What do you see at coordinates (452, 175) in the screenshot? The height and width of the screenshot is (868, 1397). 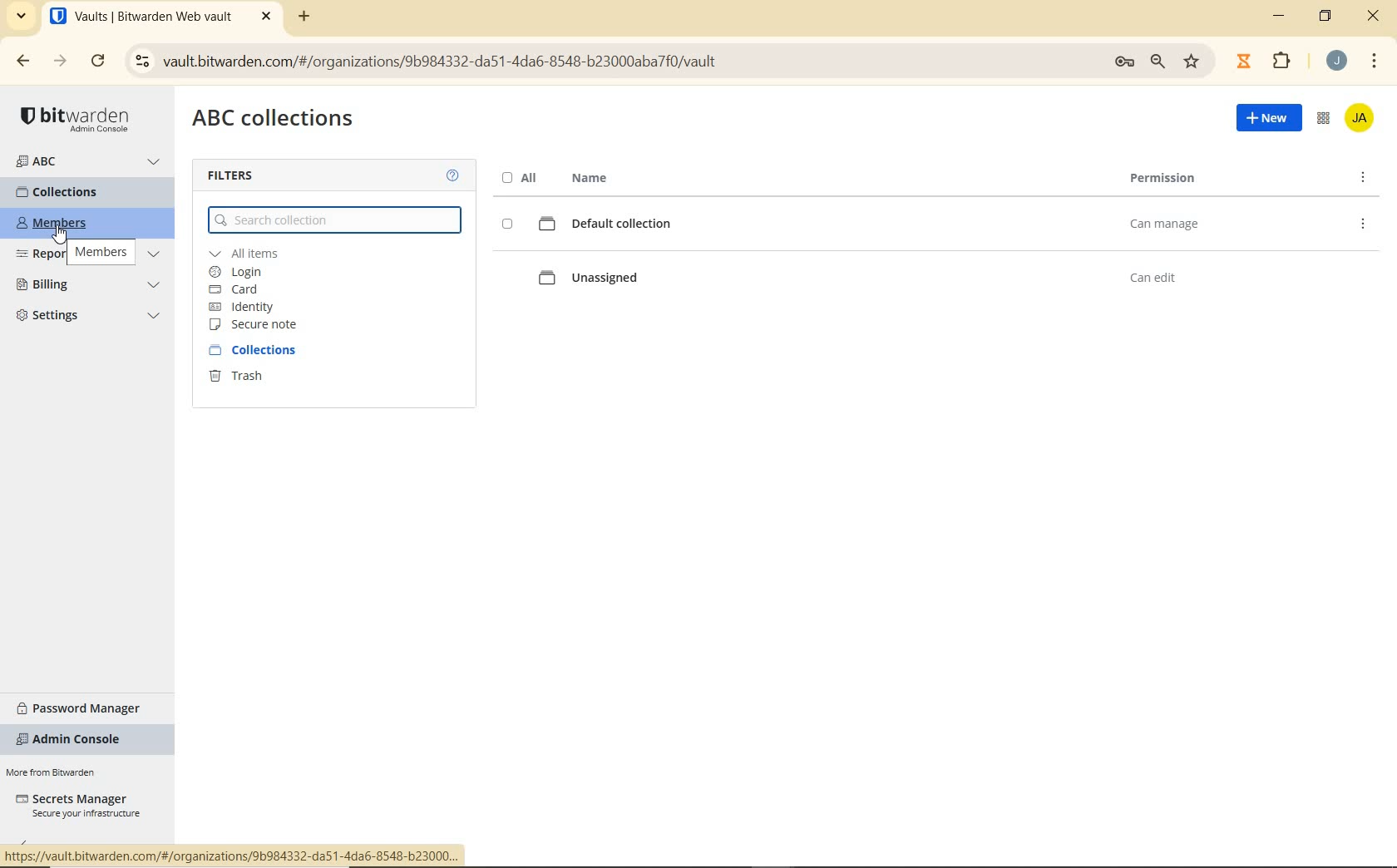 I see `HELP` at bounding box center [452, 175].